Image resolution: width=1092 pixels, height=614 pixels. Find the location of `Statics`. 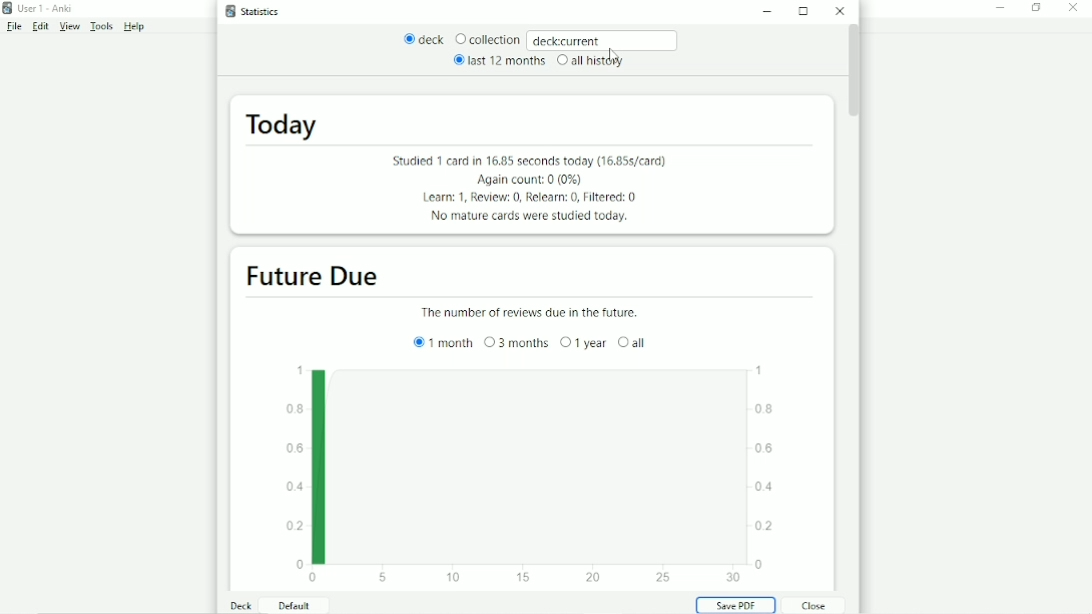

Statics is located at coordinates (249, 10).